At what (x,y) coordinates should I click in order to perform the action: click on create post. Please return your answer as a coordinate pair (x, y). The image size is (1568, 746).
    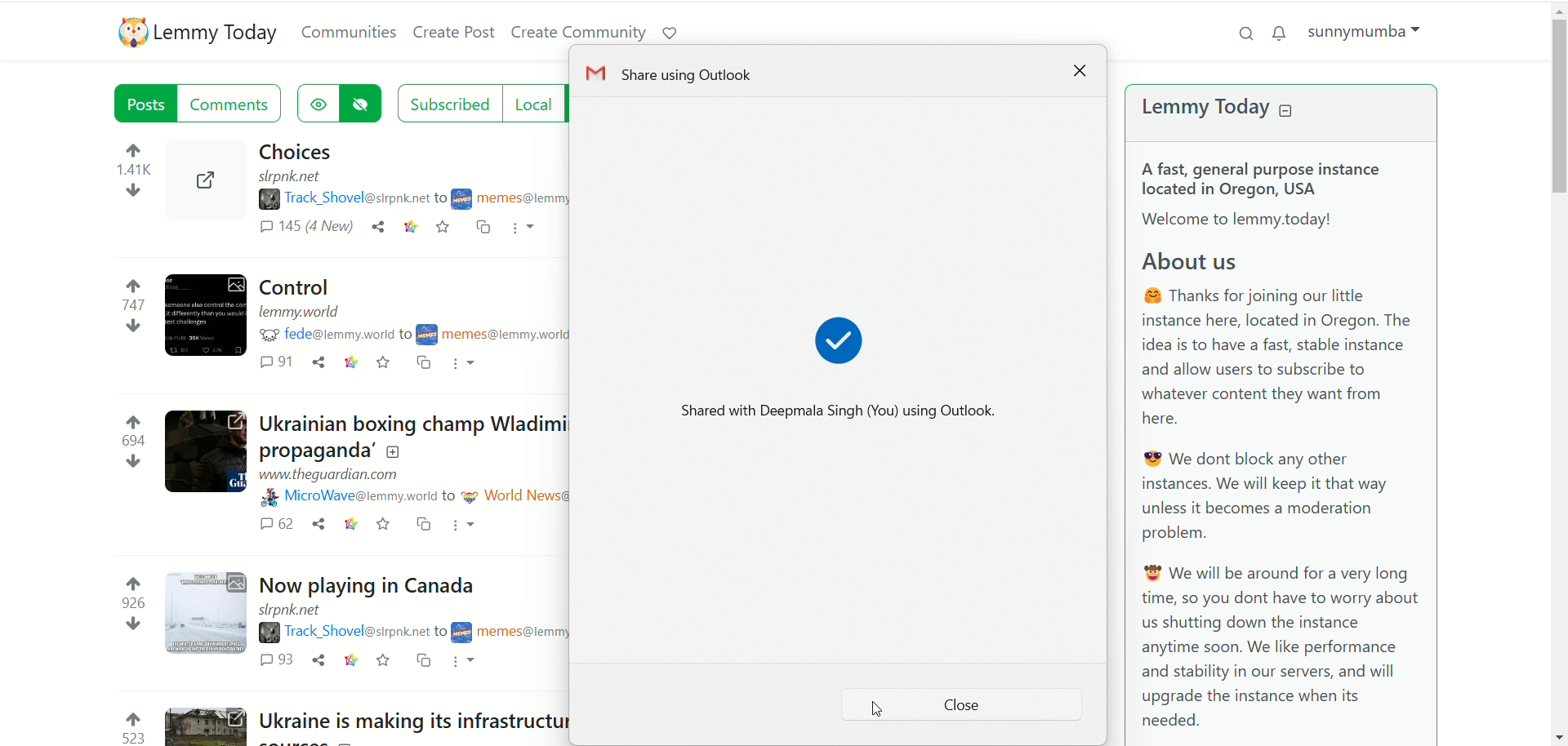
    Looking at the image, I should click on (452, 30).